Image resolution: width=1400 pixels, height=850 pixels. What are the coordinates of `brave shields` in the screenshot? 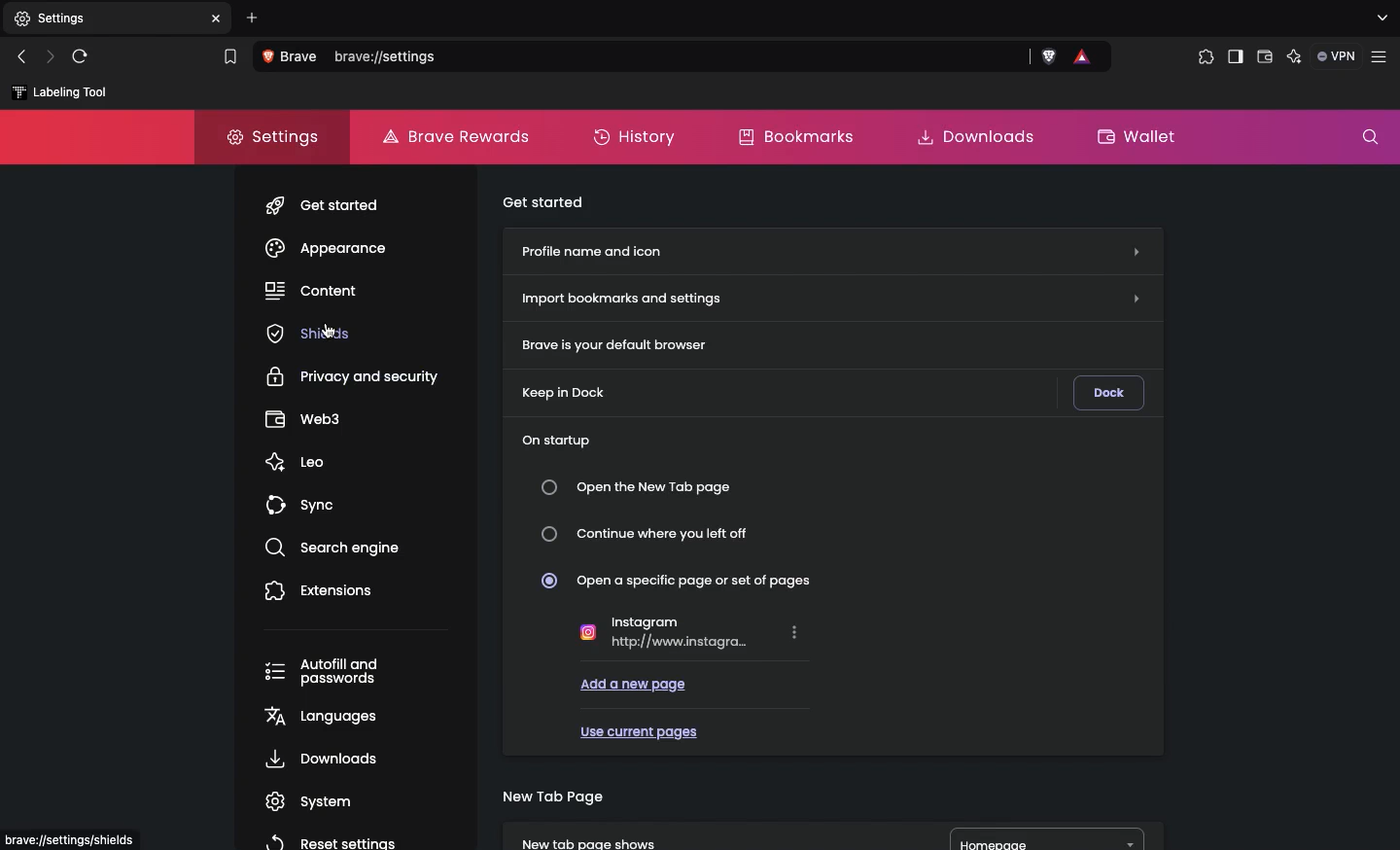 It's located at (1045, 55).